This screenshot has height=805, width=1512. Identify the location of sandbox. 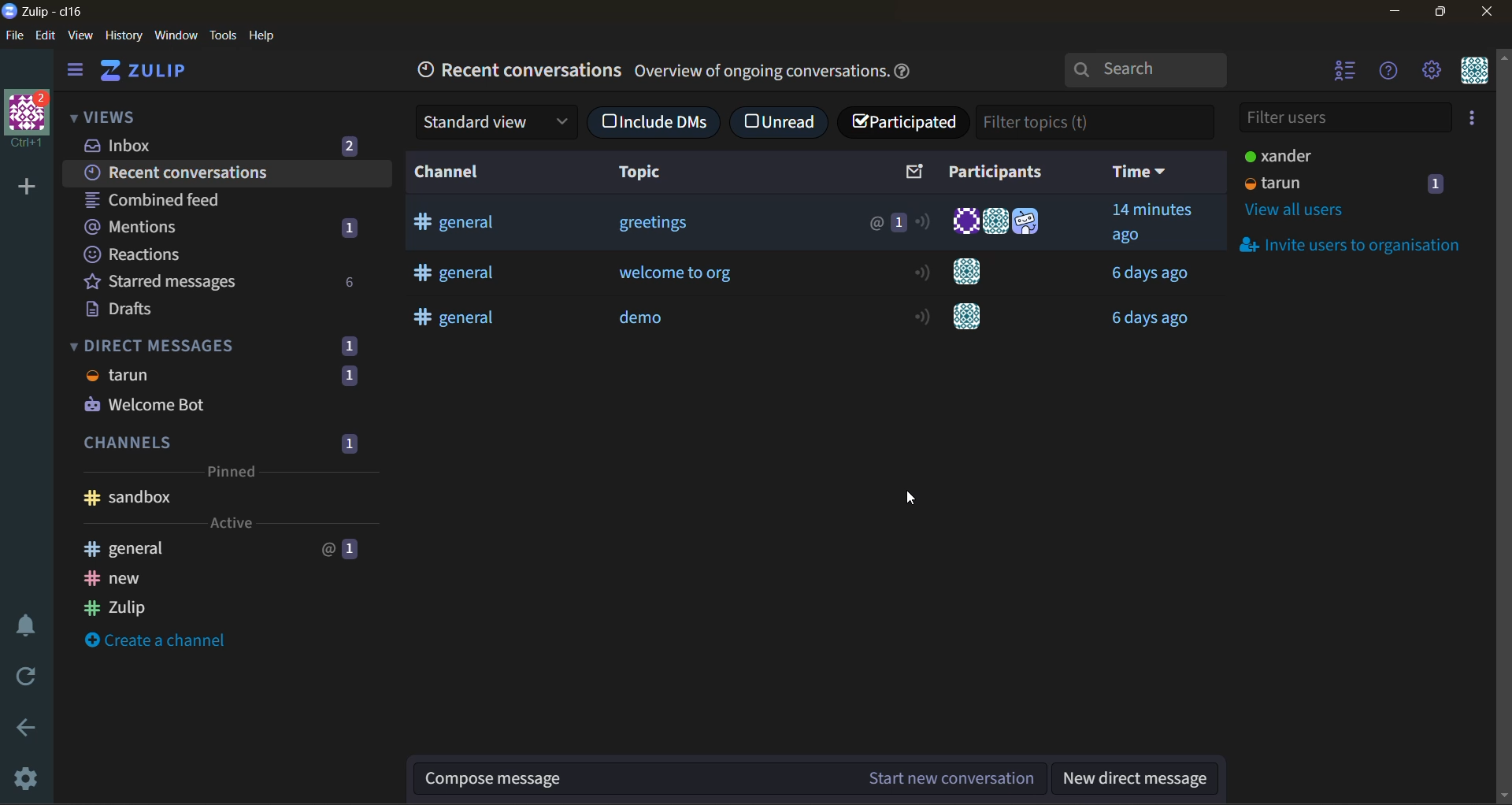
(222, 497).